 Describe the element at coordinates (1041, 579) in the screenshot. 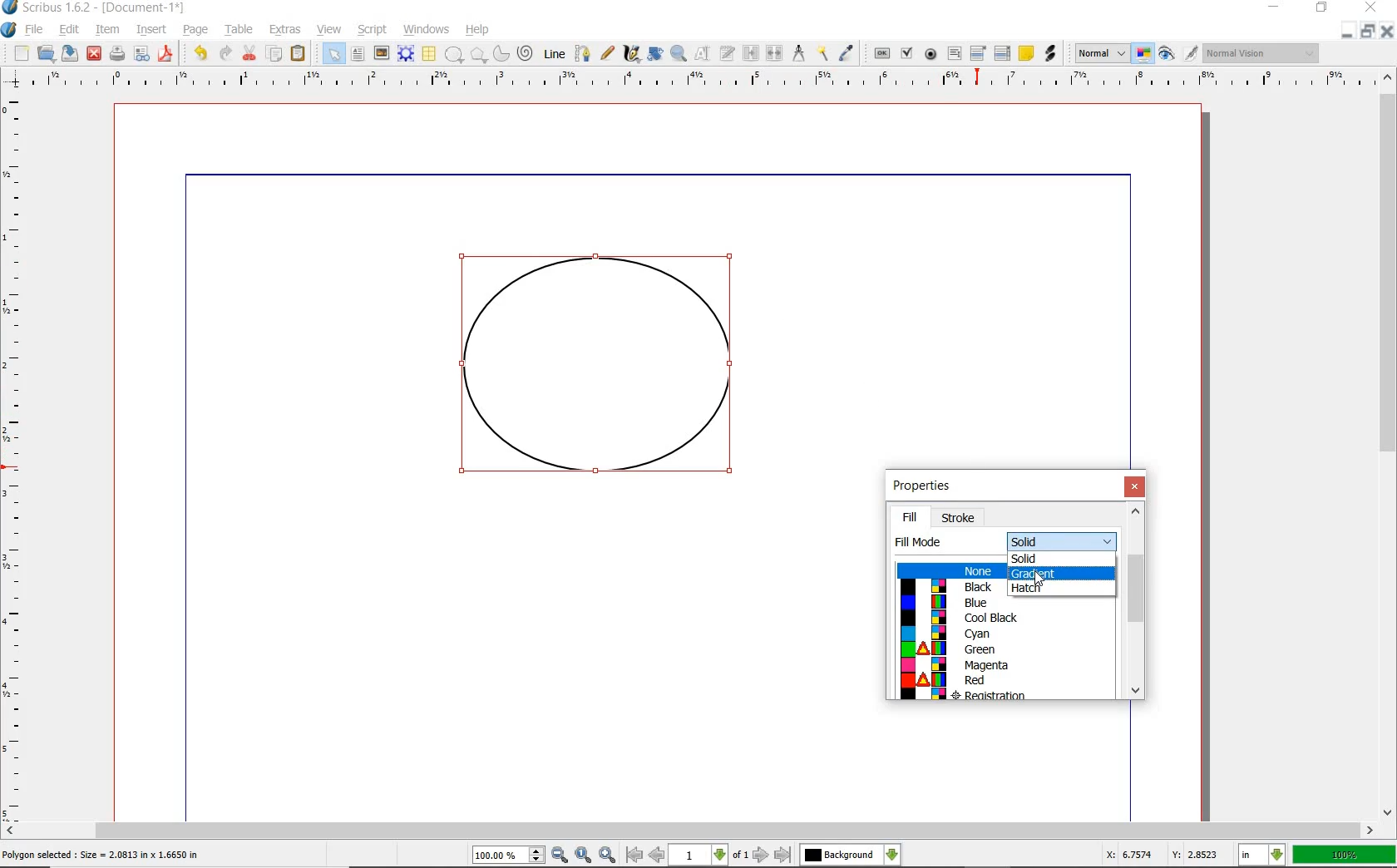

I see `shape tool` at that location.